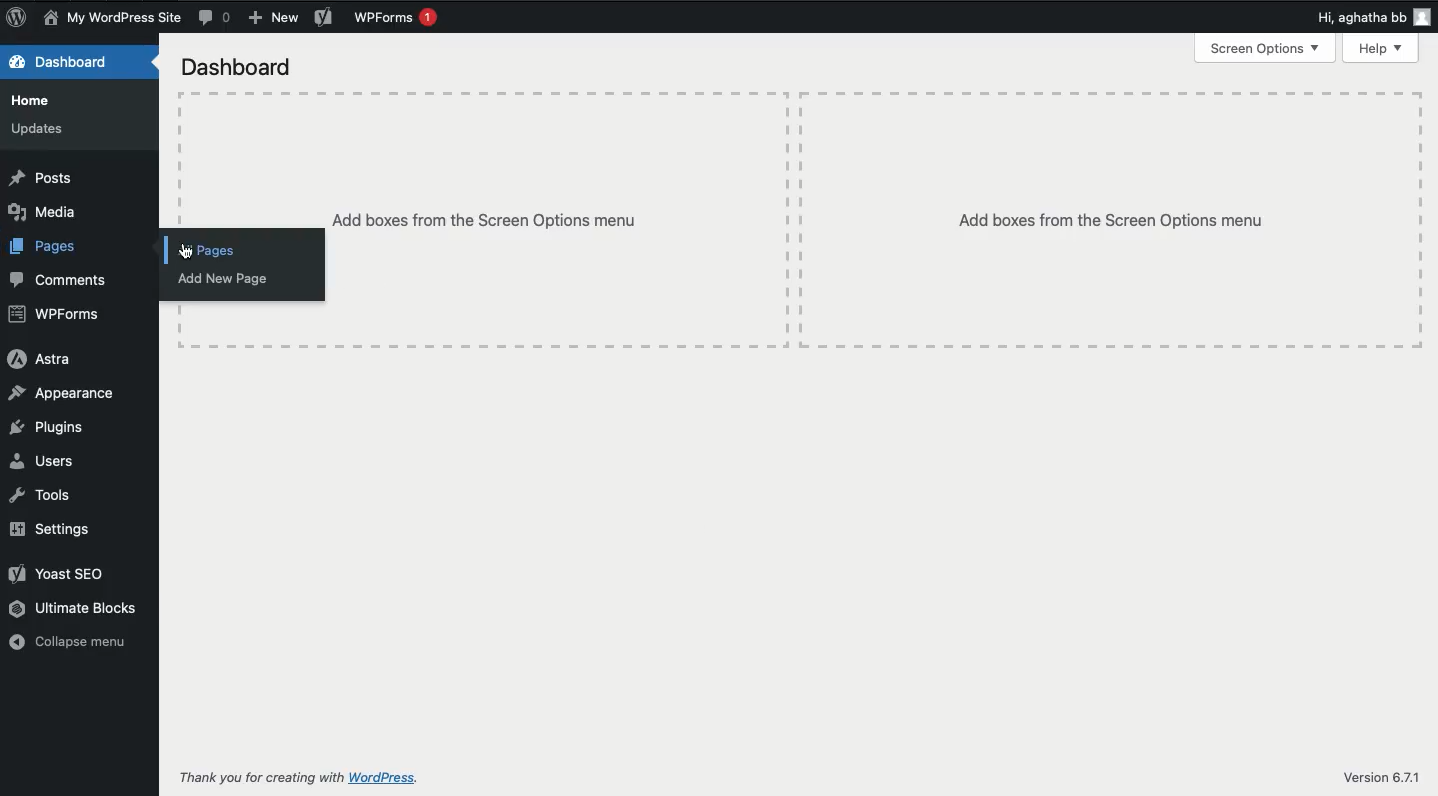 This screenshot has width=1438, height=796. Describe the element at coordinates (77, 610) in the screenshot. I see `Ultimate blocks` at that location.